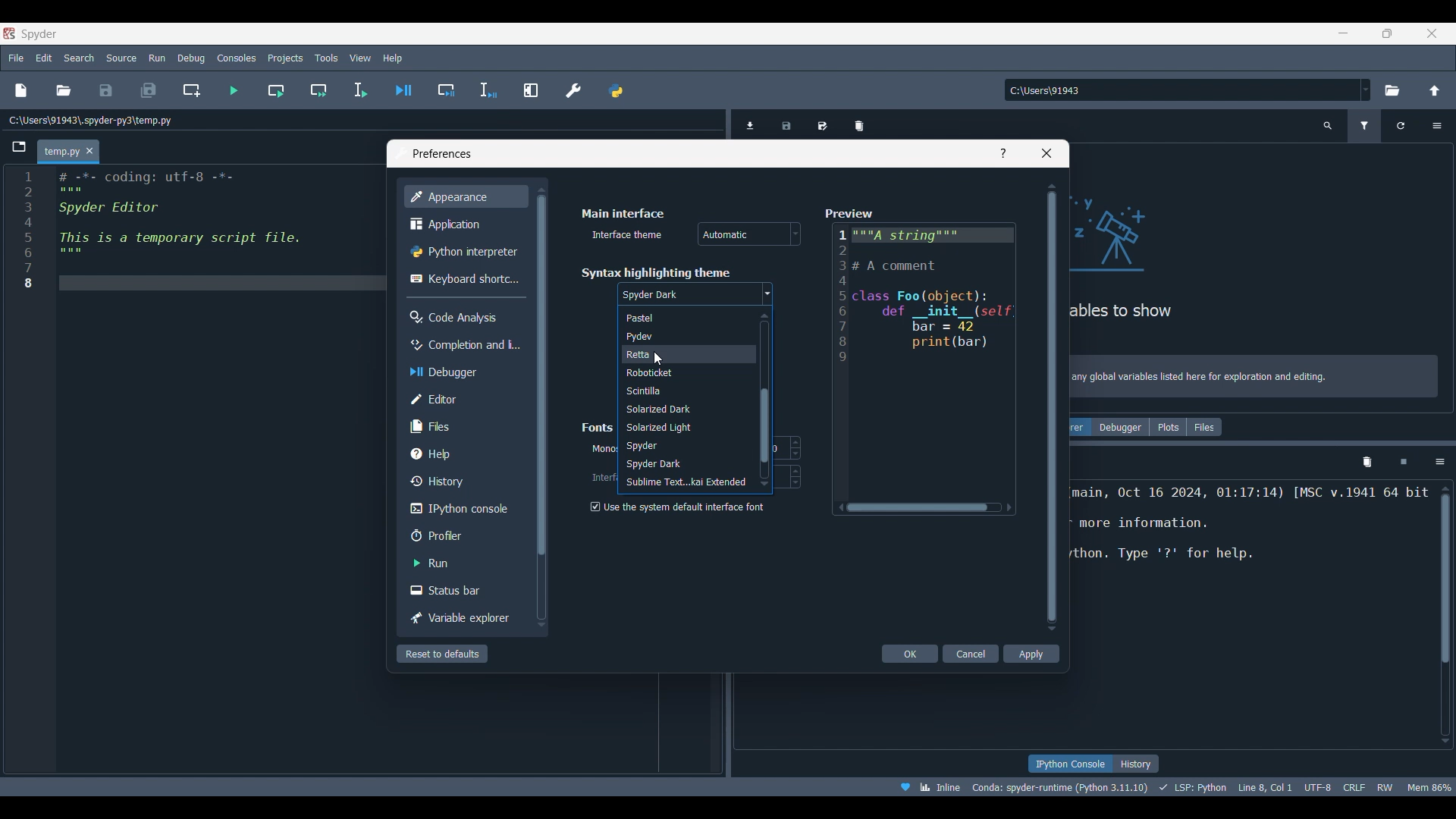  Describe the element at coordinates (276, 90) in the screenshot. I see `Run current cell` at that location.